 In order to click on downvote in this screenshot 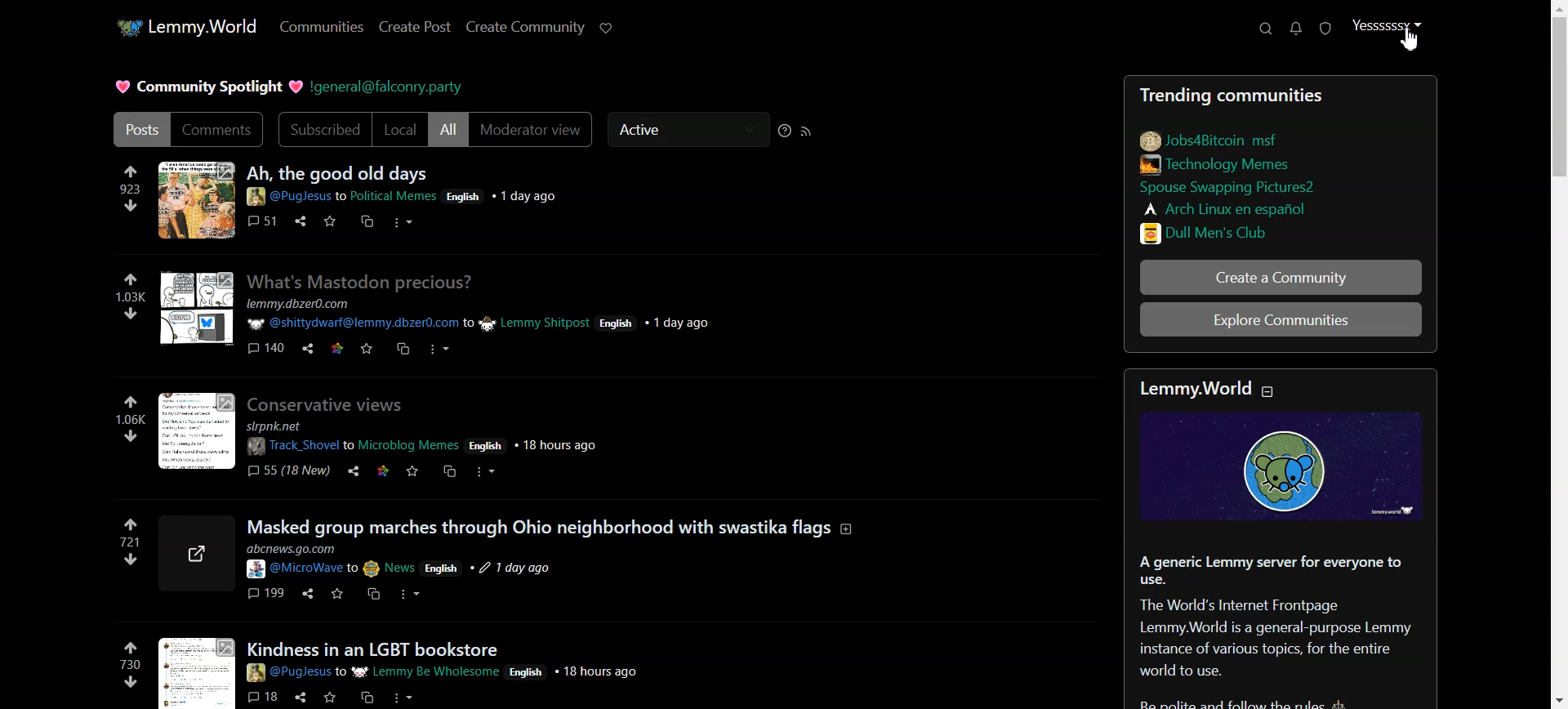, I will do `click(131, 313)`.